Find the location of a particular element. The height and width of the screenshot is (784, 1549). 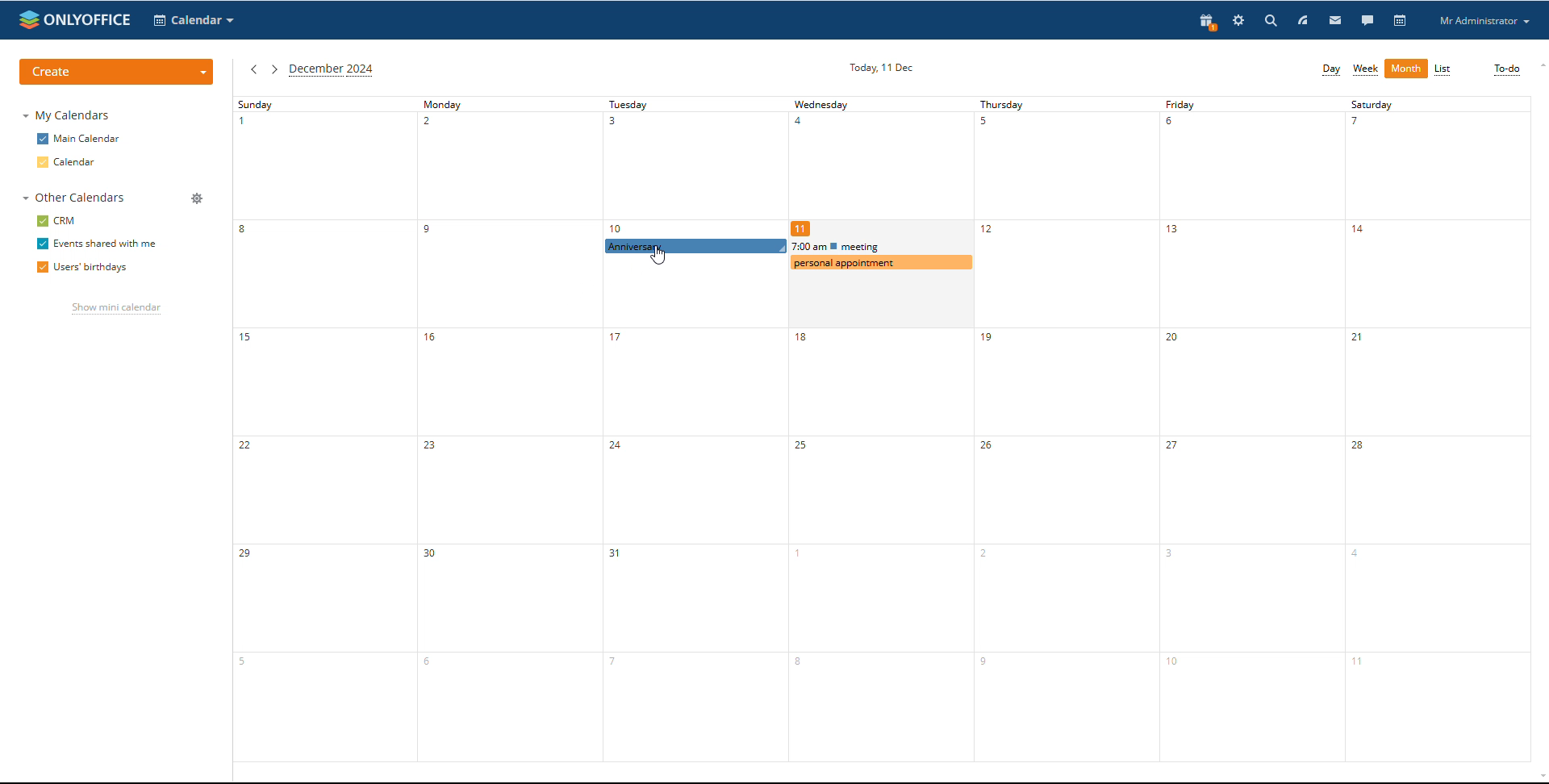

calendar is located at coordinates (75, 162).